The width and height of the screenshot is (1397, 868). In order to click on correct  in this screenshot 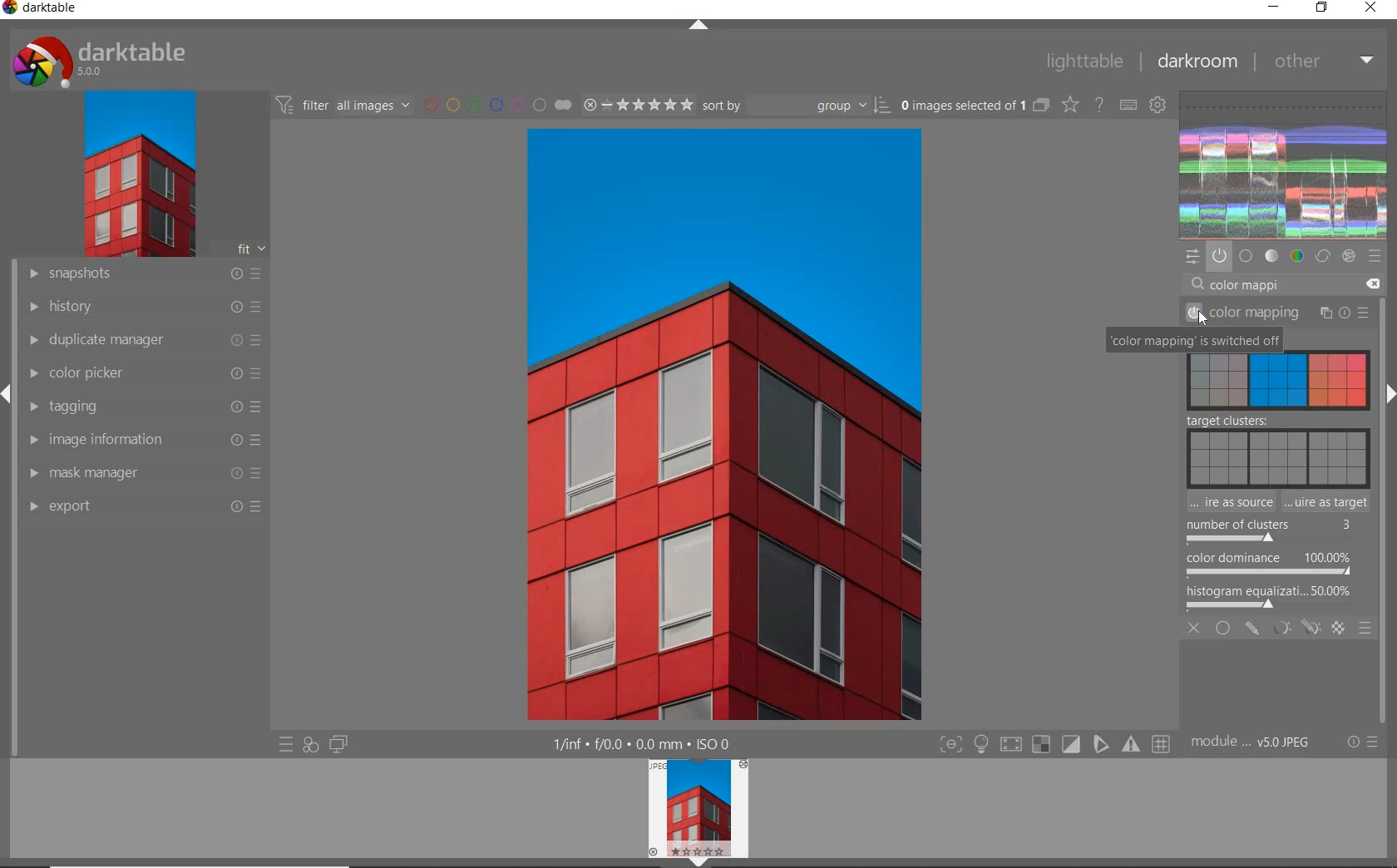, I will do `click(1322, 257)`.